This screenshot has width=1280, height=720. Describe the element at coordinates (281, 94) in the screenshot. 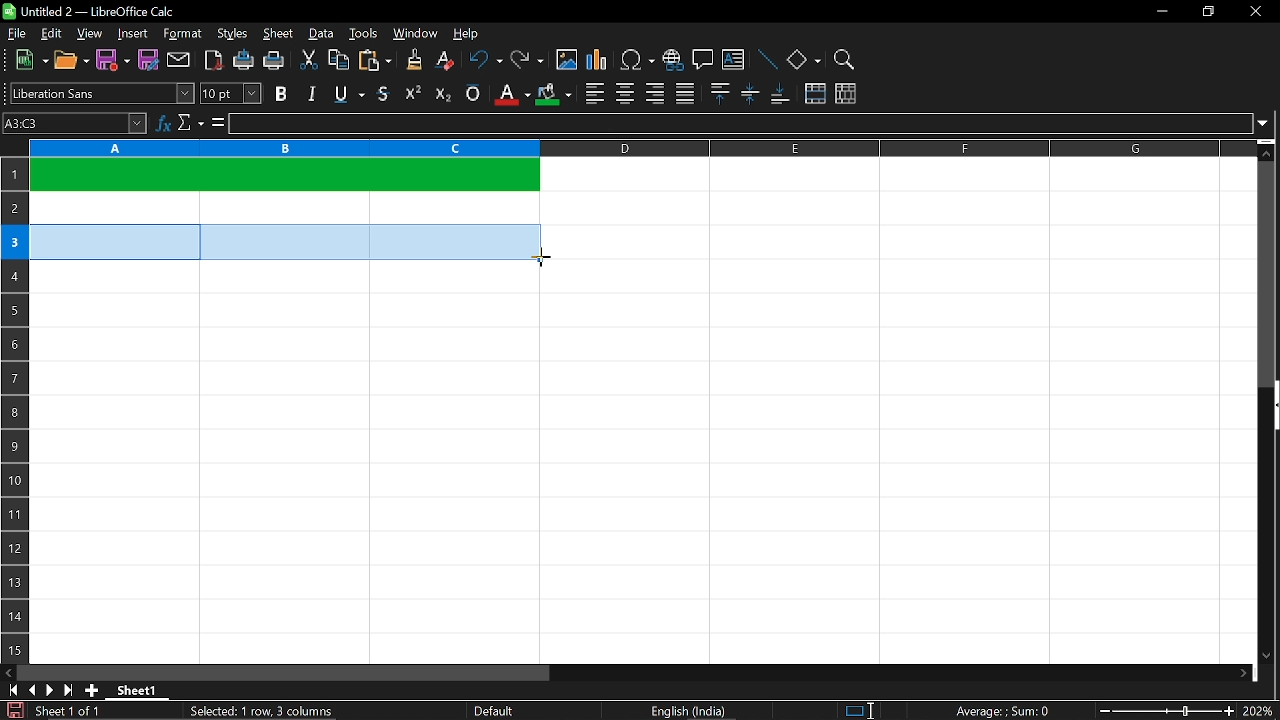

I see `bold` at that location.